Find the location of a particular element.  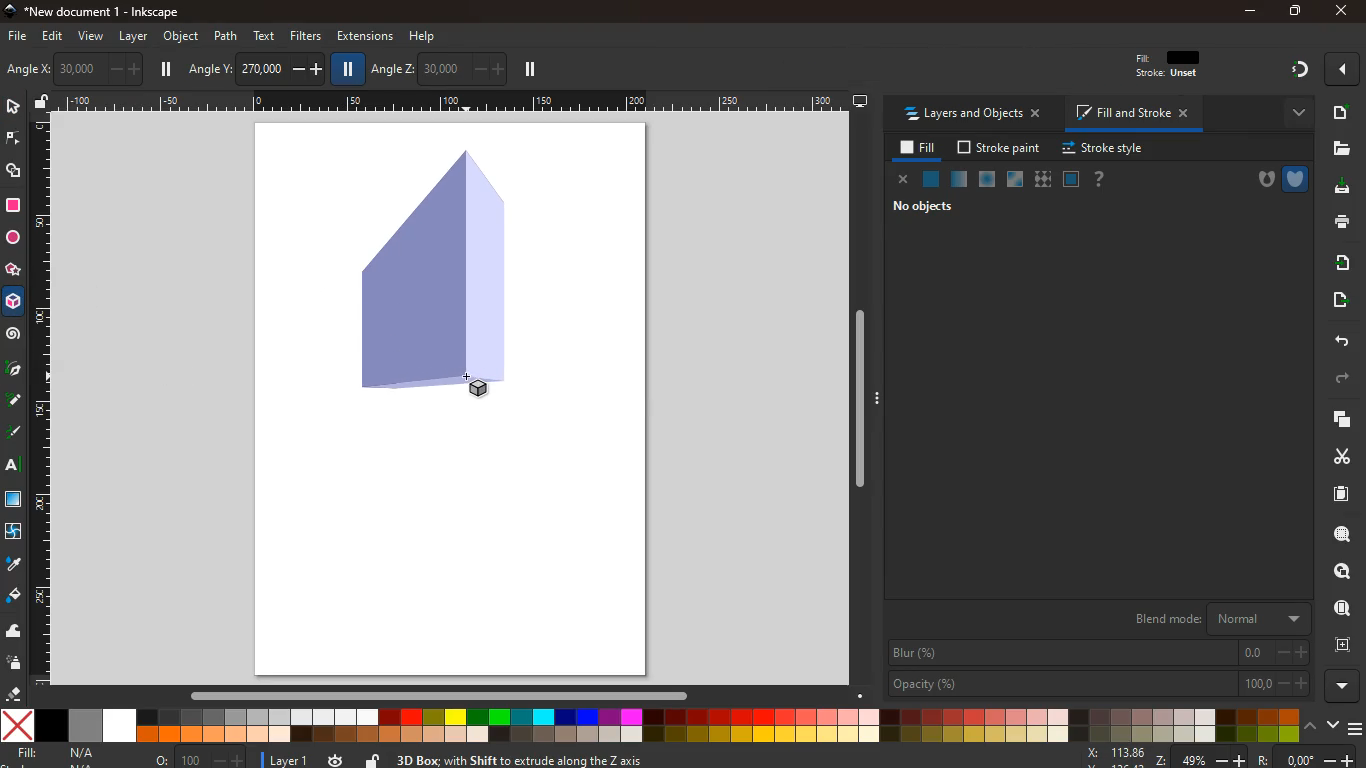

frame is located at coordinates (1342, 645).